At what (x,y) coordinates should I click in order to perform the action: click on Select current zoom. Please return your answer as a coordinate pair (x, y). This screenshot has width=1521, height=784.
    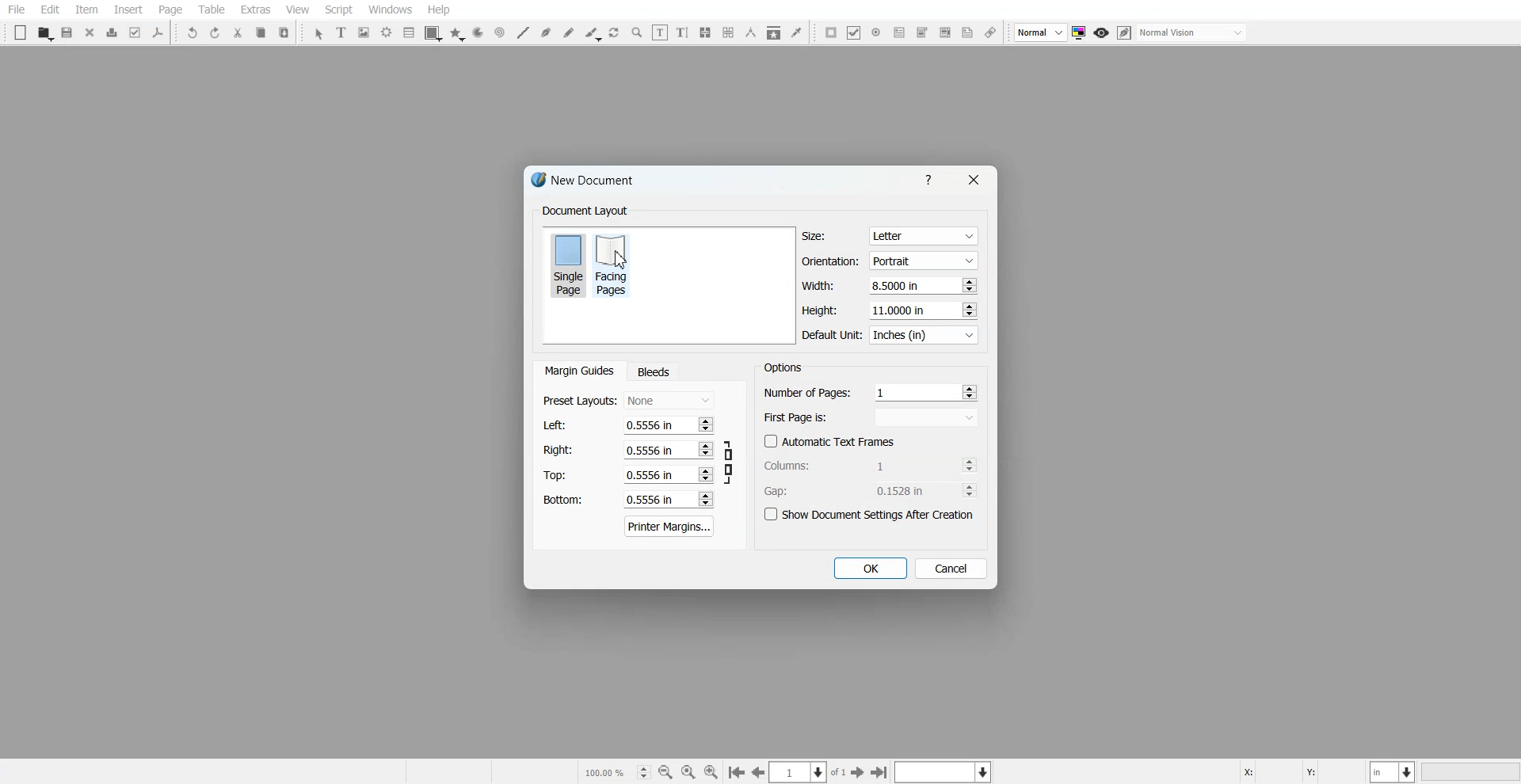
    Looking at the image, I should click on (616, 771).